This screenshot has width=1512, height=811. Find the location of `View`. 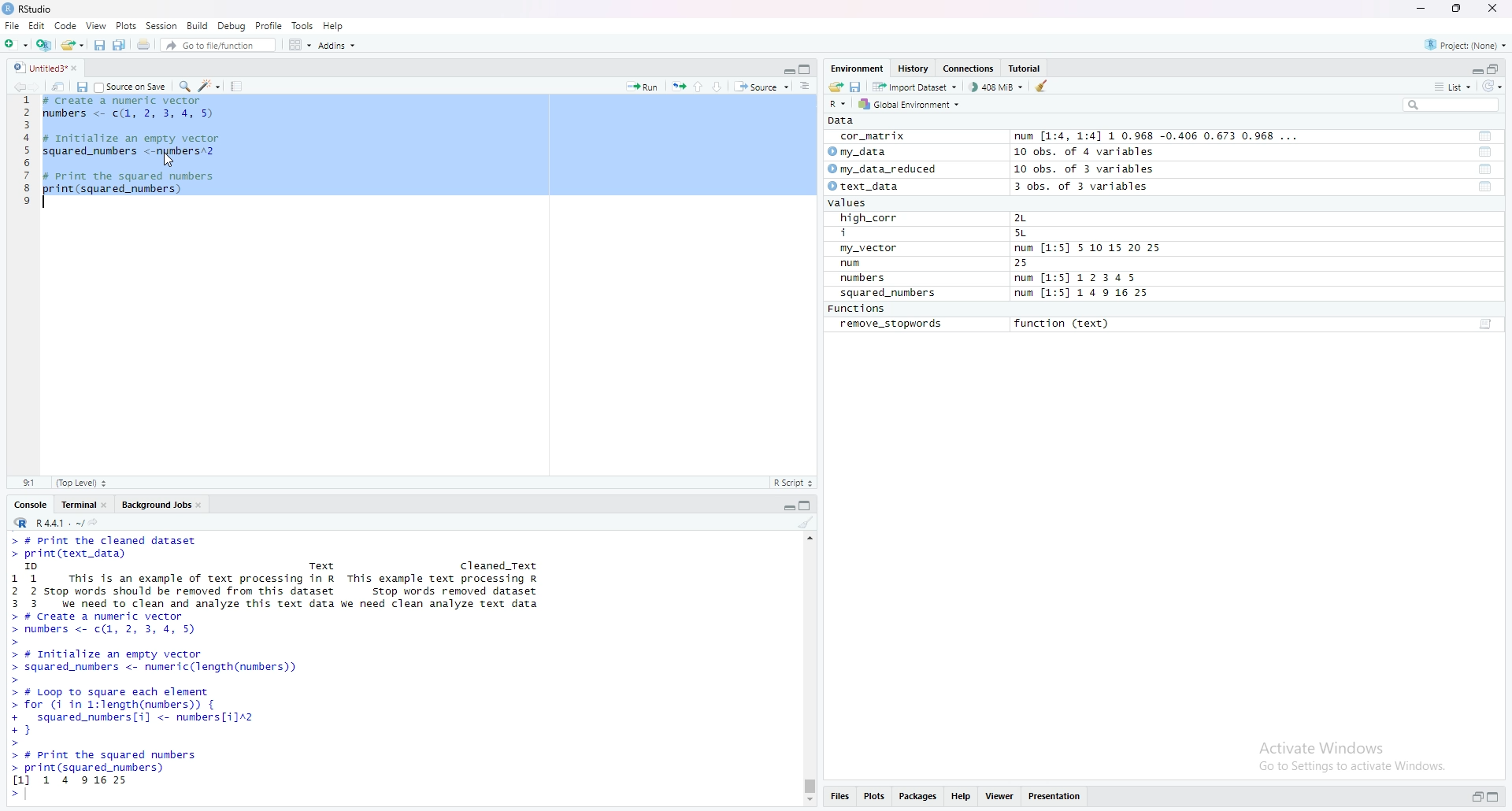

View is located at coordinates (96, 25).